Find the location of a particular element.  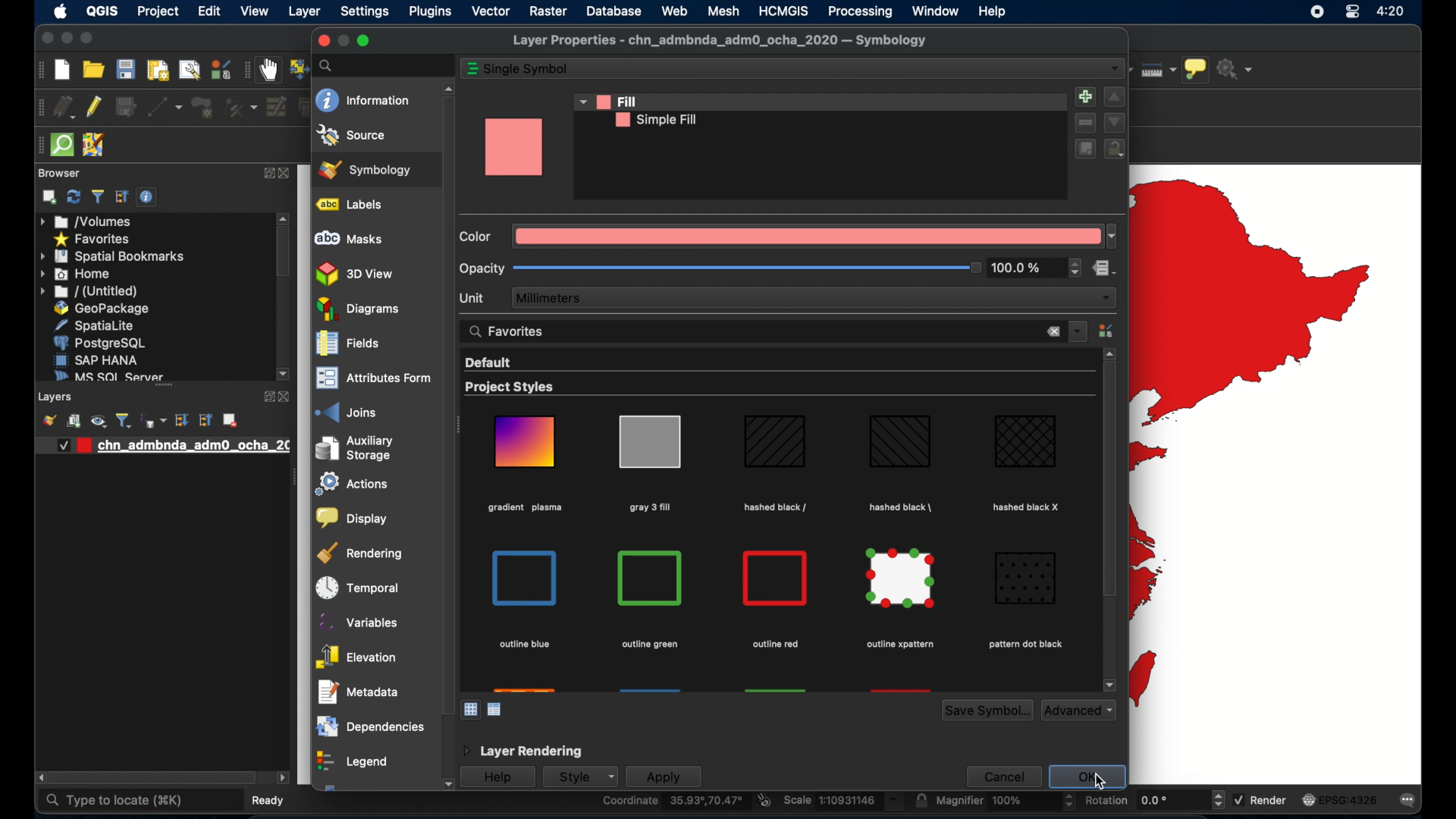

print layout is located at coordinates (156, 71).